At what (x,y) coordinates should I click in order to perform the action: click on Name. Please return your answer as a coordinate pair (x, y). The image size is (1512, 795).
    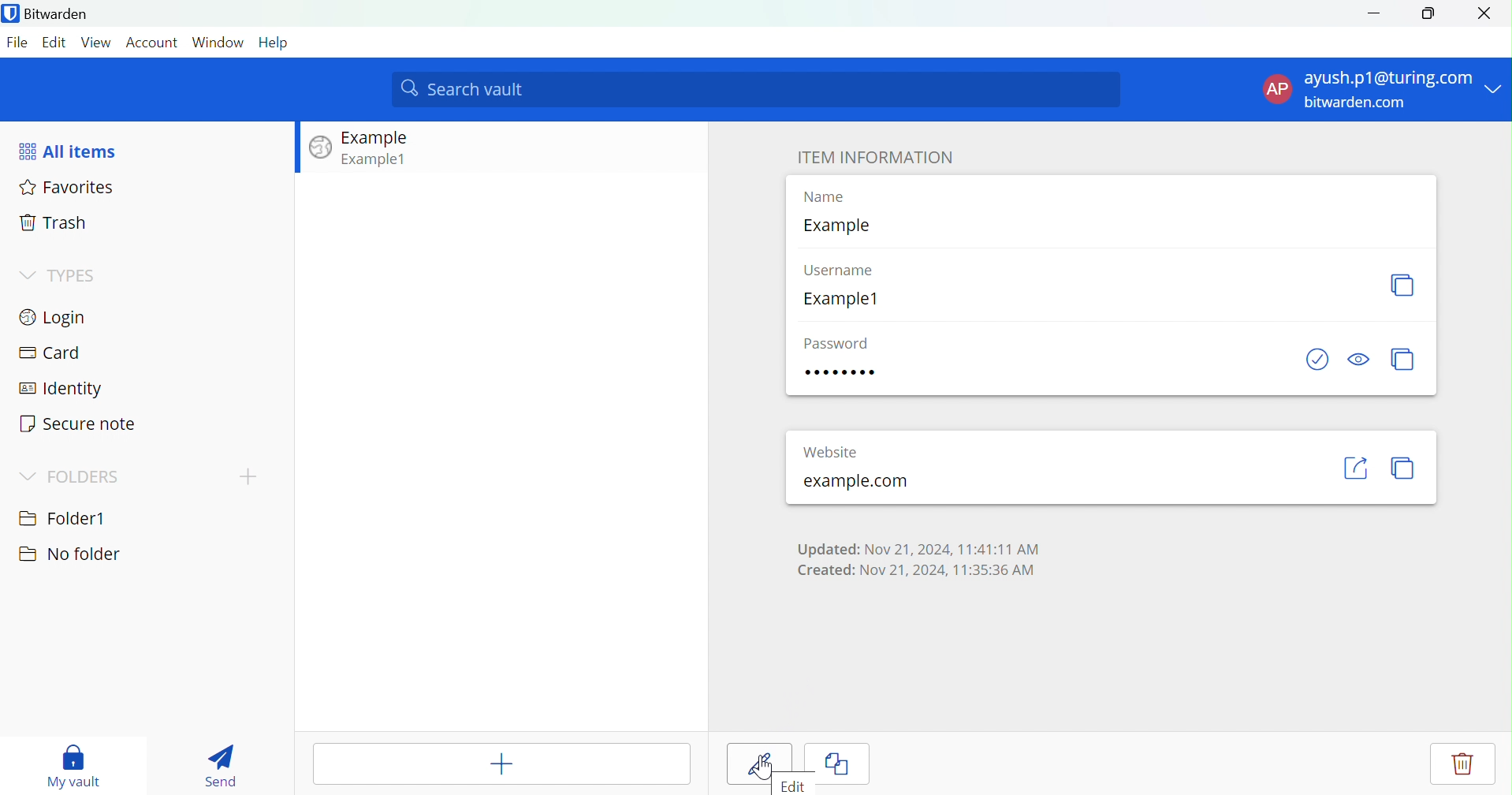
    Looking at the image, I should click on (829, 198).